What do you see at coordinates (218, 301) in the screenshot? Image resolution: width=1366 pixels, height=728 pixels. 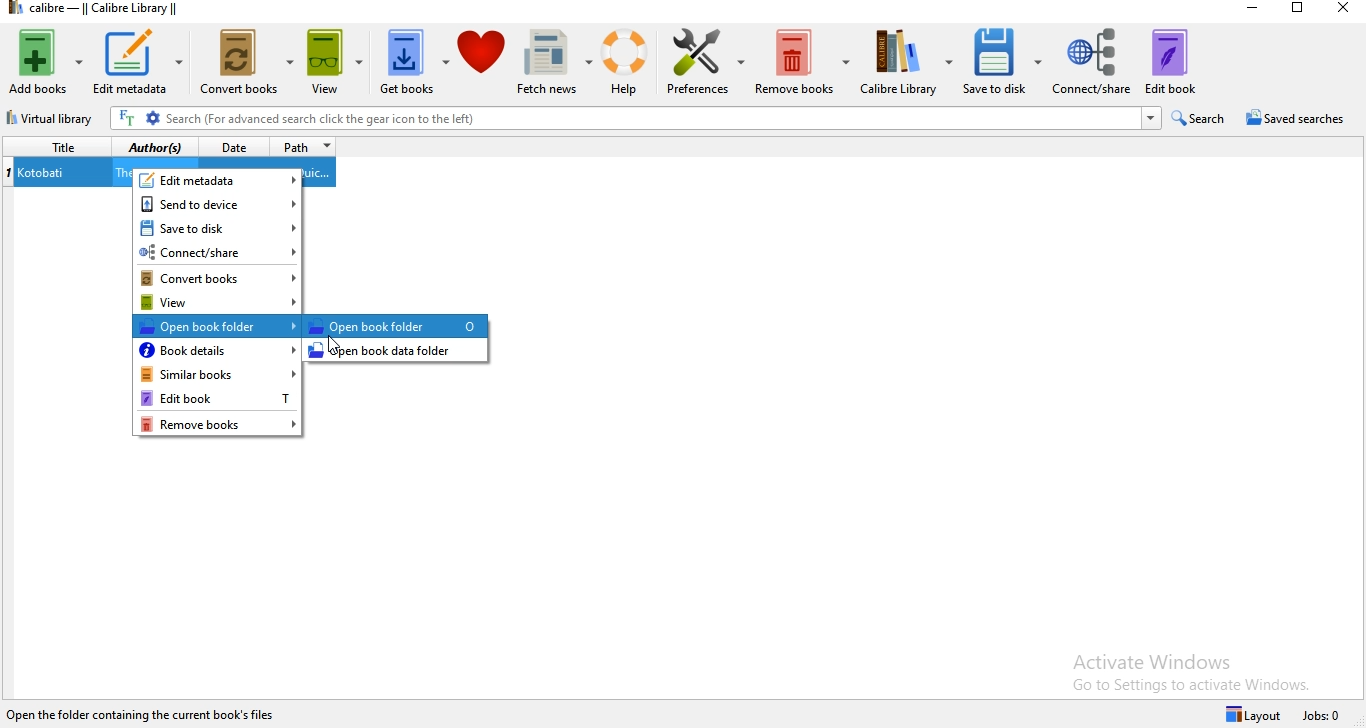 I see `view` at bounding box center [218, 301].